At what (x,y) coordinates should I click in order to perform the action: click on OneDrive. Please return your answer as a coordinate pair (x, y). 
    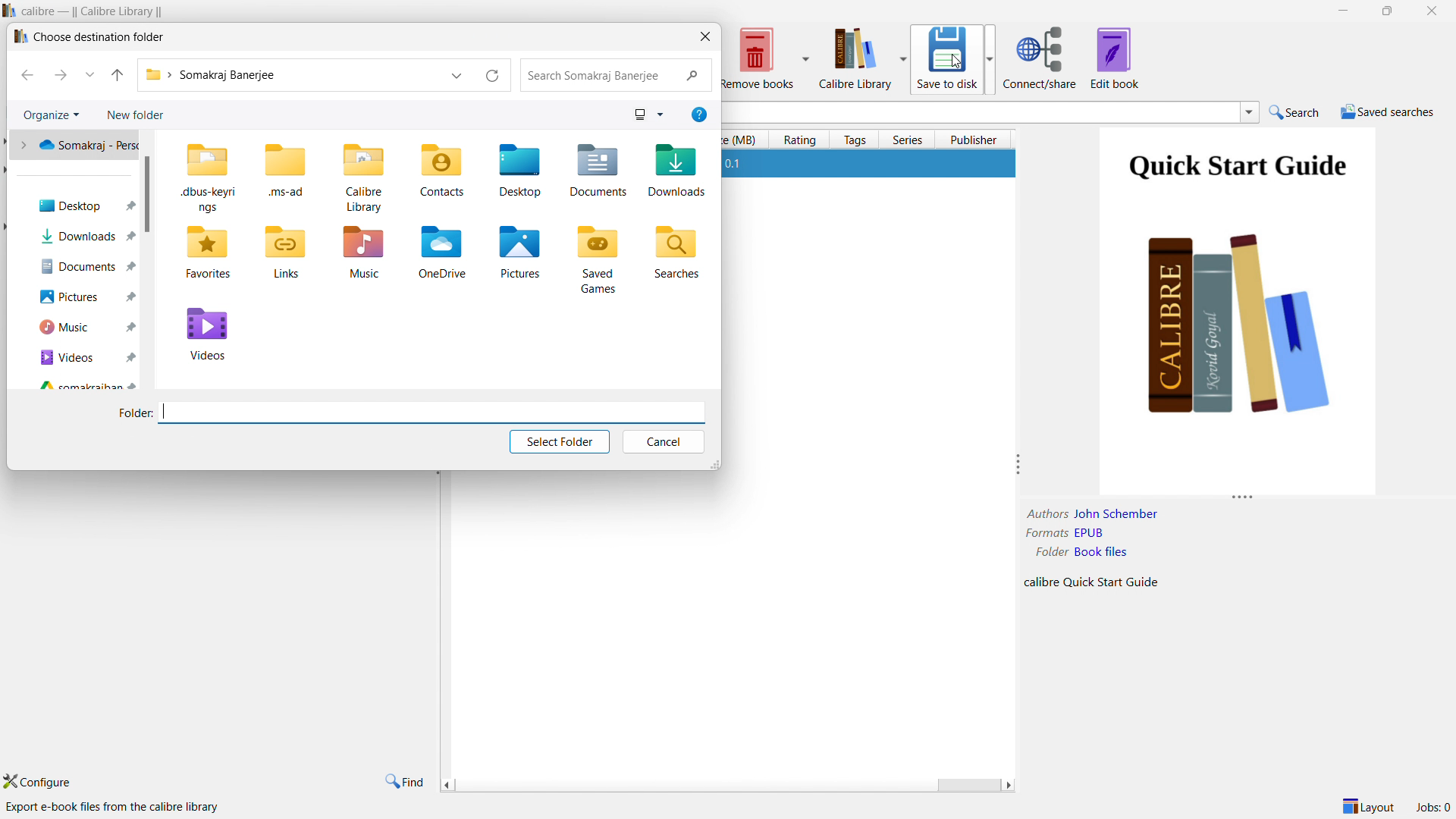
    Looking at the image, I should click on (444, 256).